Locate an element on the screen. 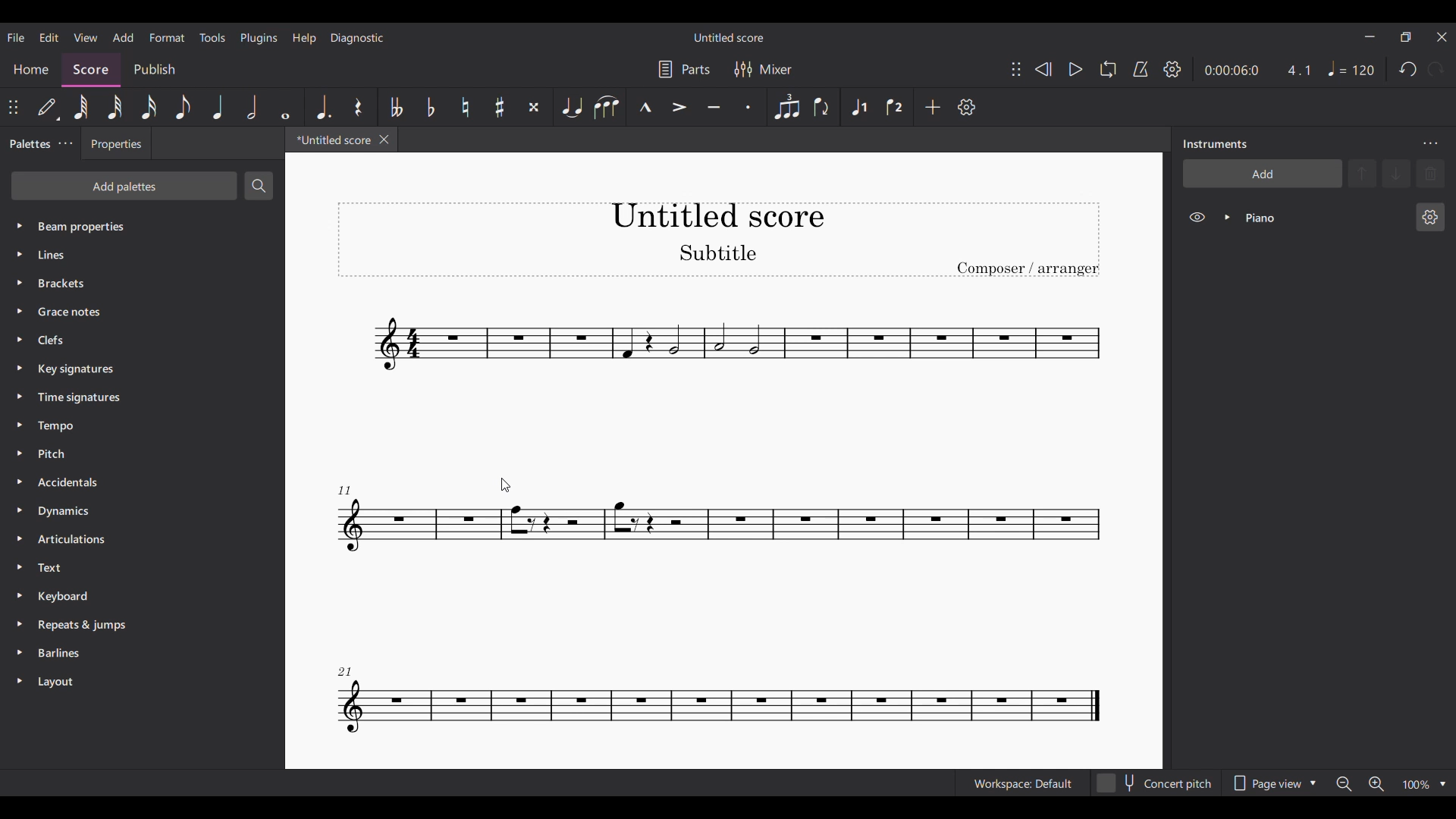 The height and width of the screenshot is (819, 1456). Minimize is located at coordinates (1370, 36).